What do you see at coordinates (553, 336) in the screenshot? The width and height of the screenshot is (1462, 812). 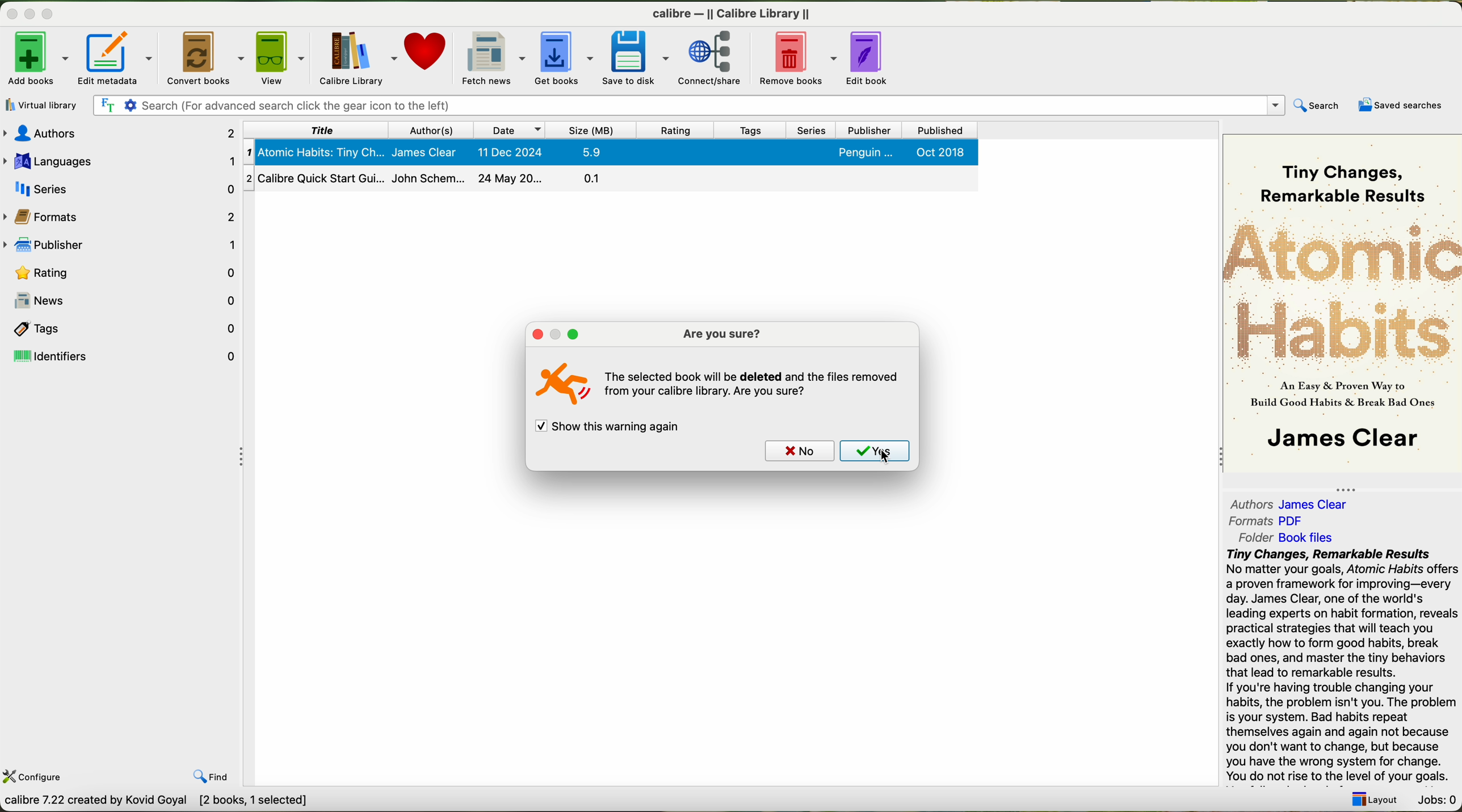 I see `disable minimize popup` at bounding box center [553, 336].